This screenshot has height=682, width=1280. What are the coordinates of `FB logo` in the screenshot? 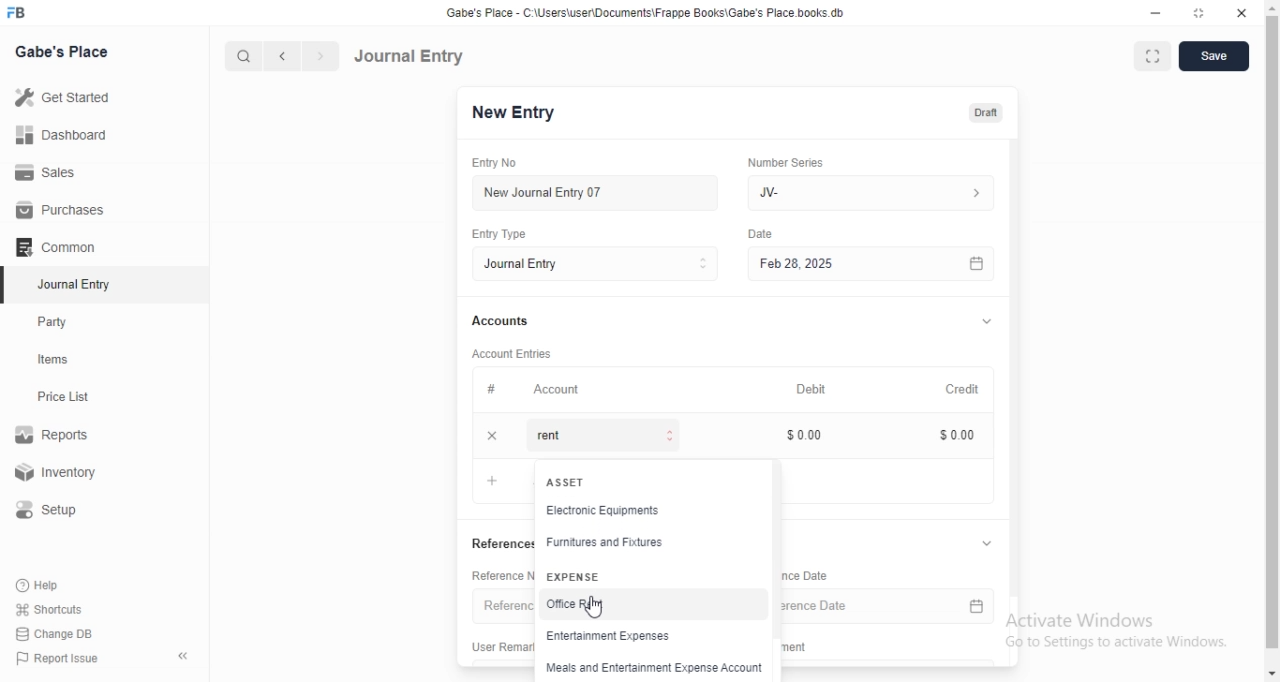 It's located at (18, 13).